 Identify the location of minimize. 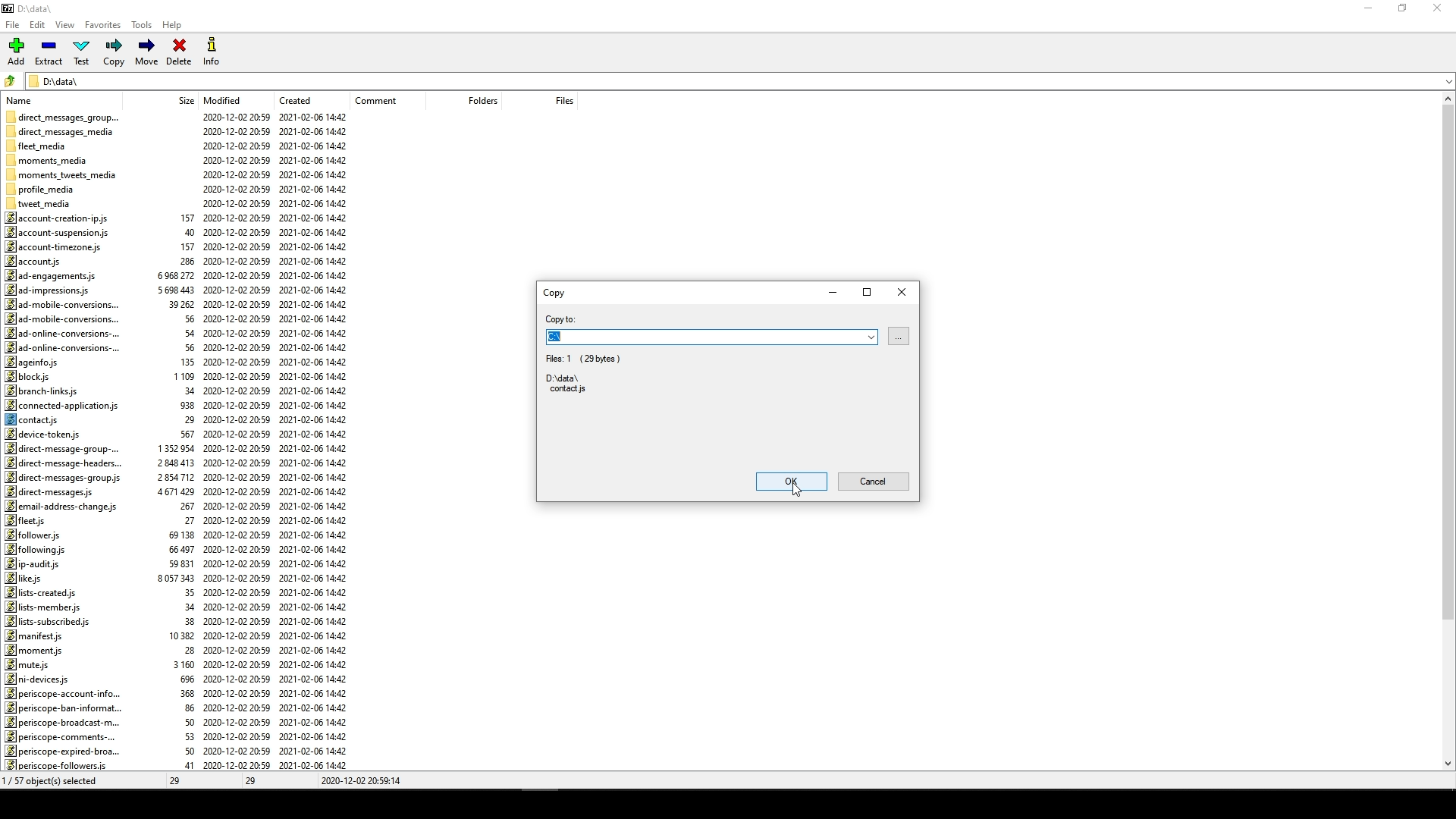
(831, 291).